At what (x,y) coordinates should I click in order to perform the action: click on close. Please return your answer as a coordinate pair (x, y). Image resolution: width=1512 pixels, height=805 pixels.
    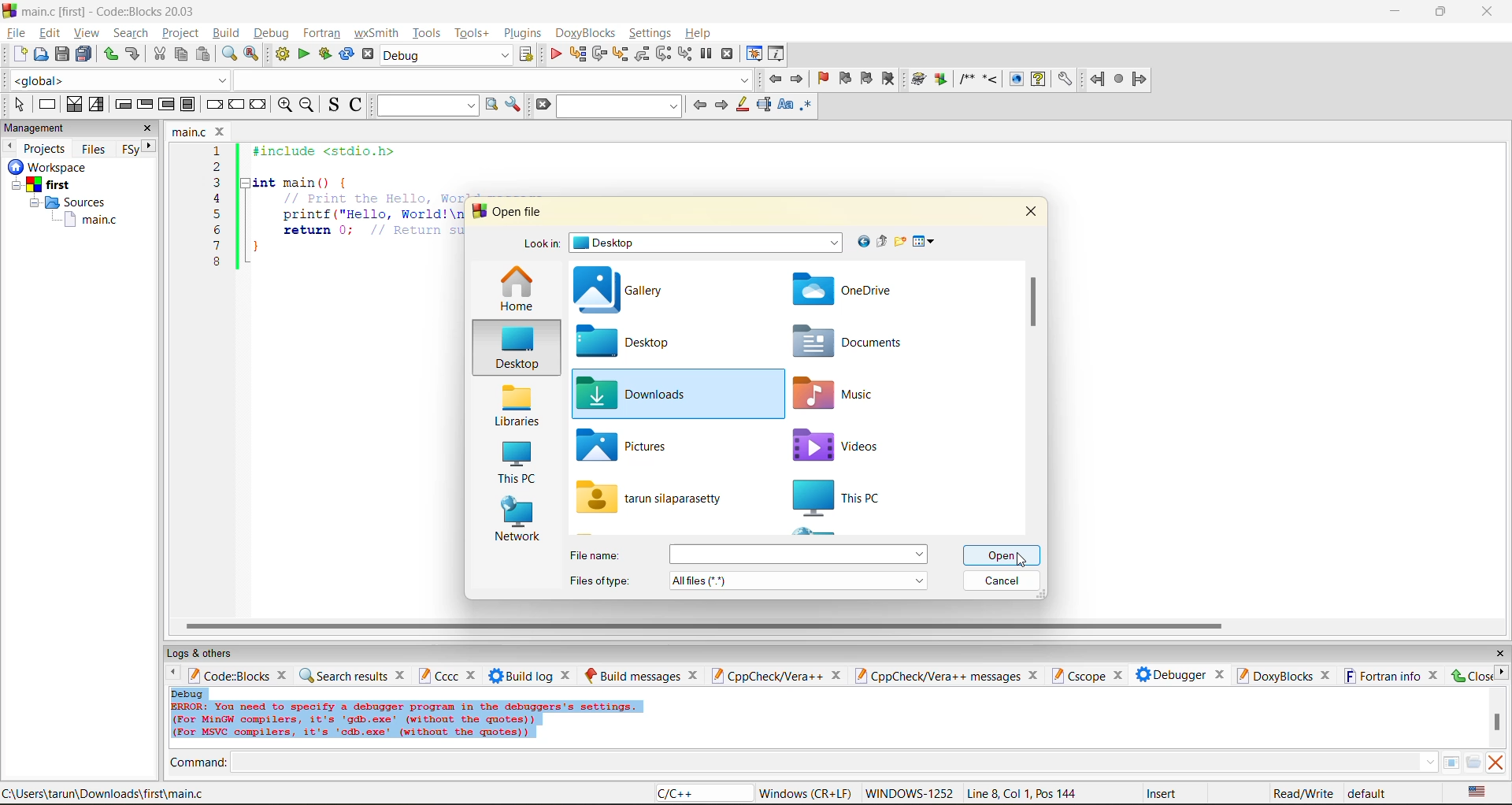
    Looking at the image, I should click on (1036, 675).